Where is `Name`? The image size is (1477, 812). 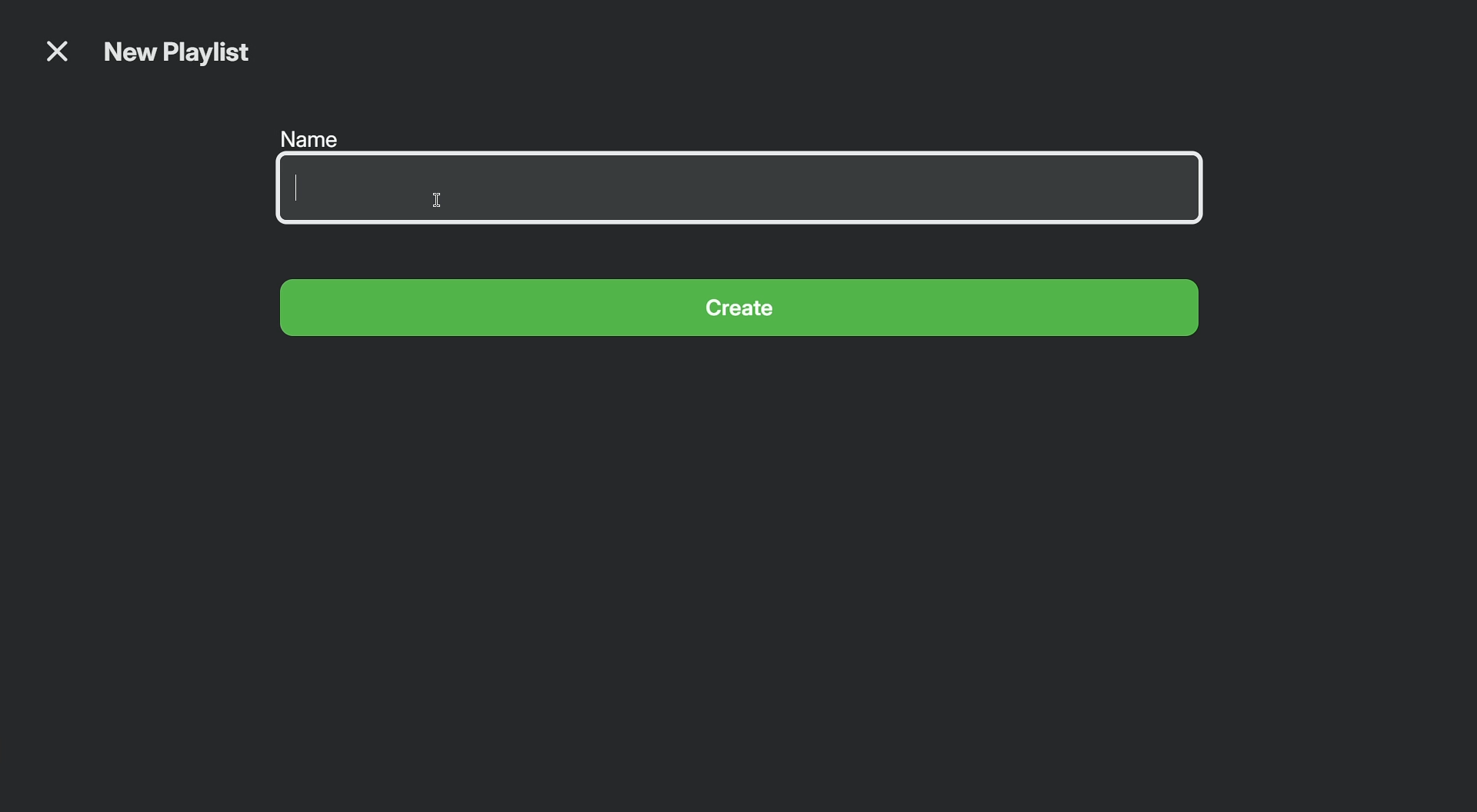 Name is located at coordinates (744, 178).